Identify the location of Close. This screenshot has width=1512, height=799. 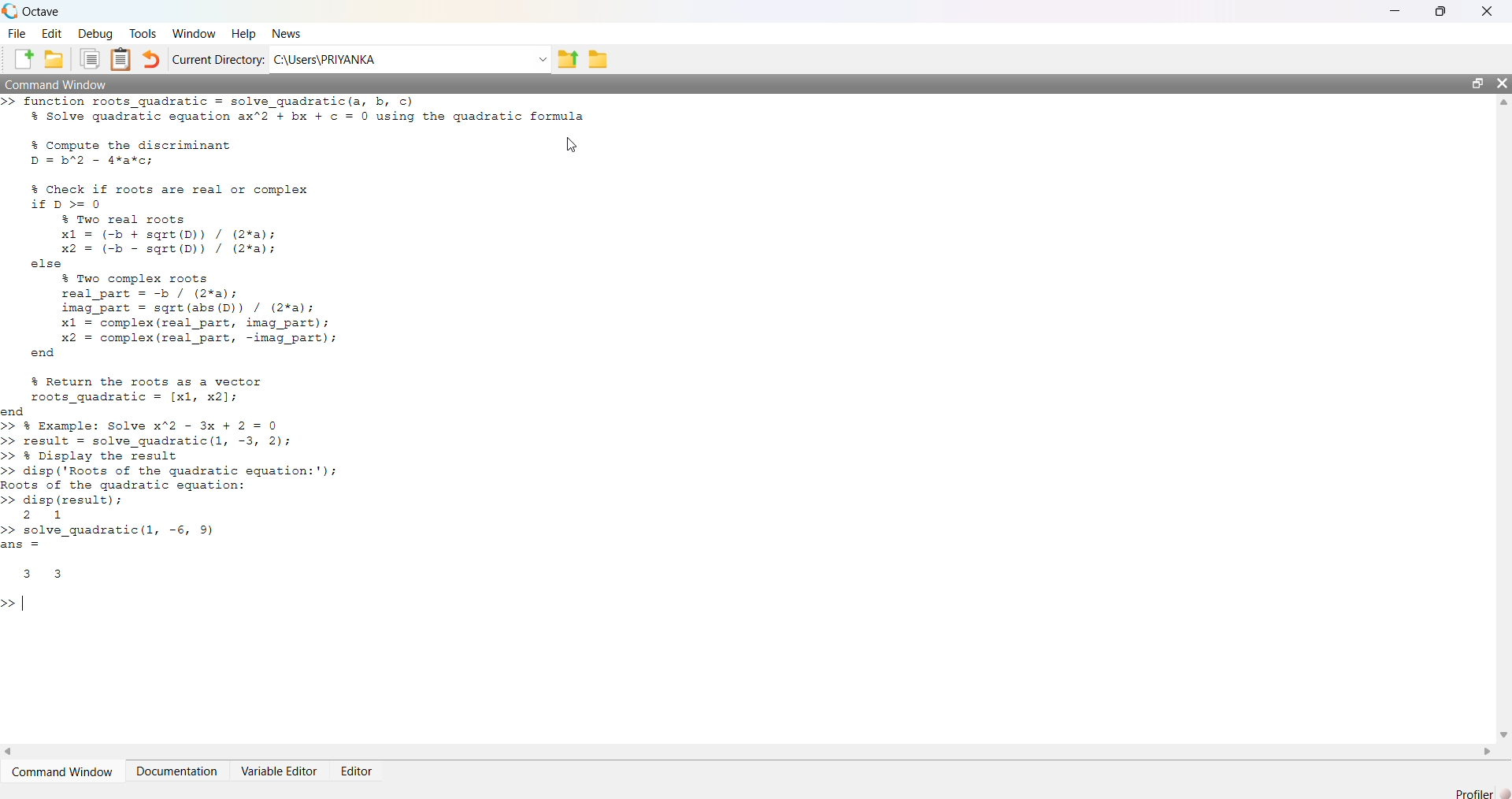
(1487, 11).